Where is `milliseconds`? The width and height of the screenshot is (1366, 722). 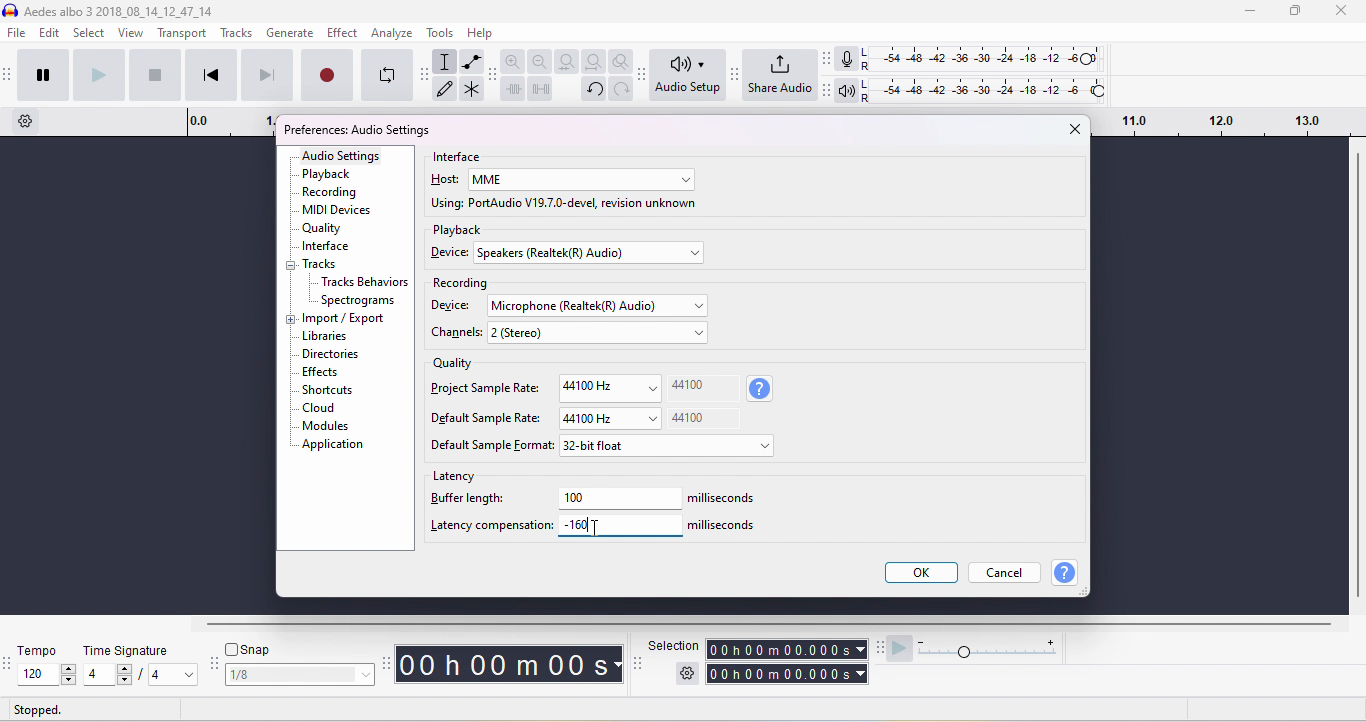 milliseconds is located at coordinates (727, 499).